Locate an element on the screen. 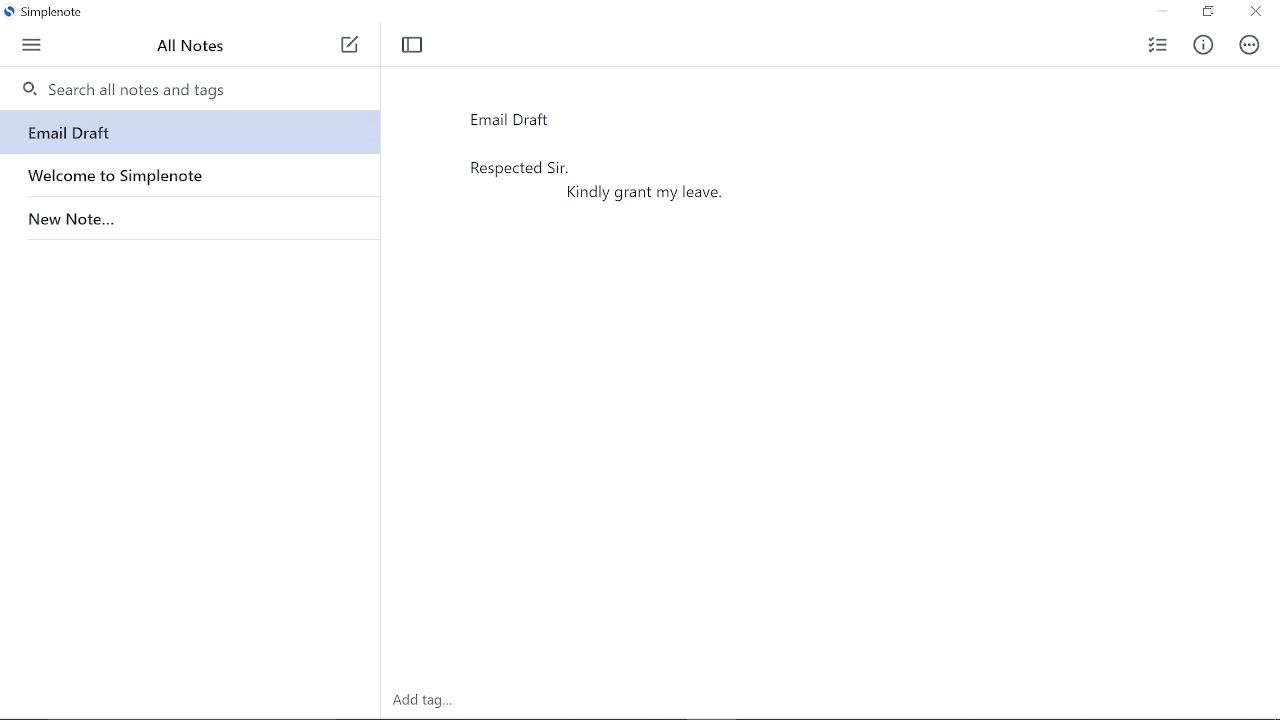 This screenshot has height=720, width=1280. Add note is located at coordinates (349, 46).